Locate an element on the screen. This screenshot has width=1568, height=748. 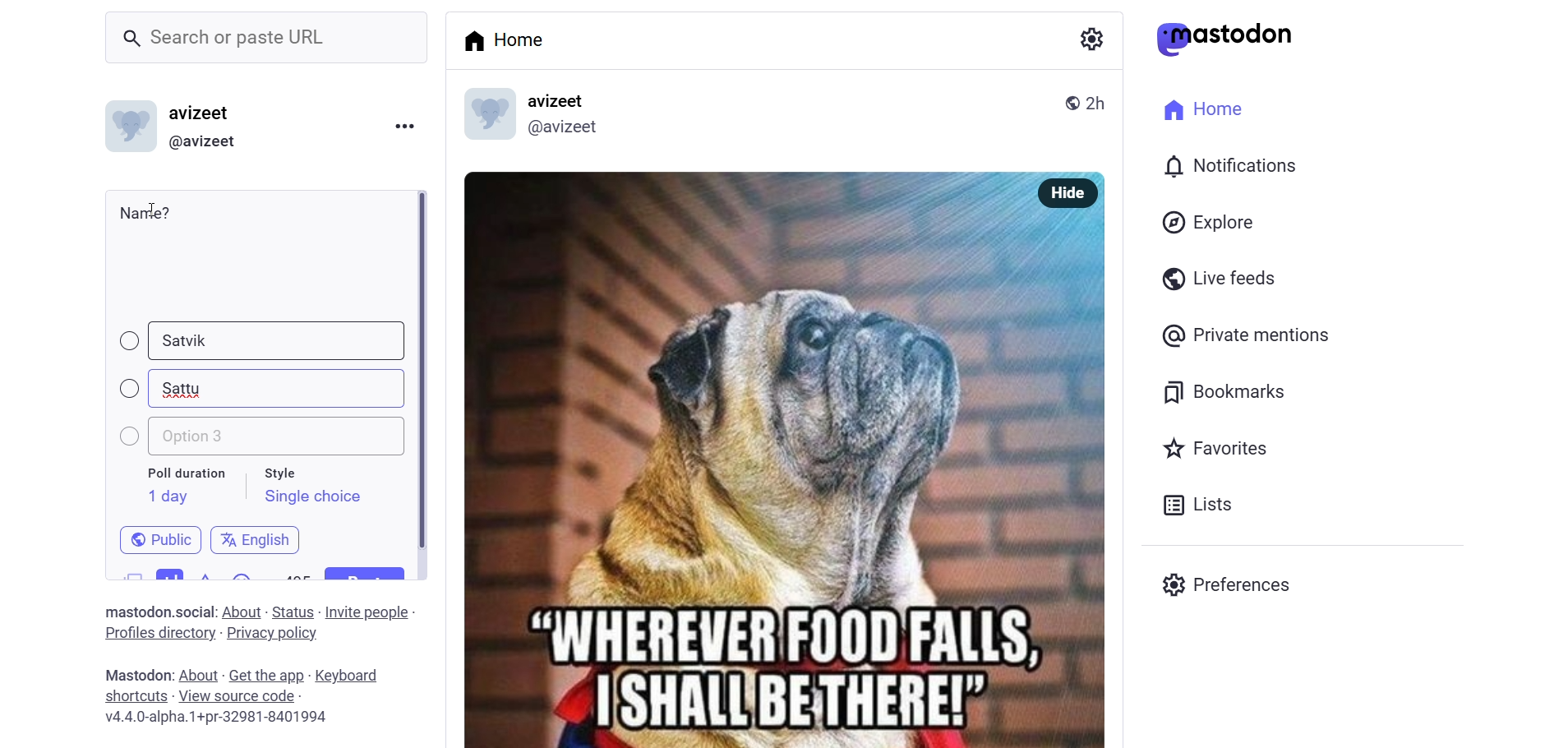
more is located at coordinates (404, 124).